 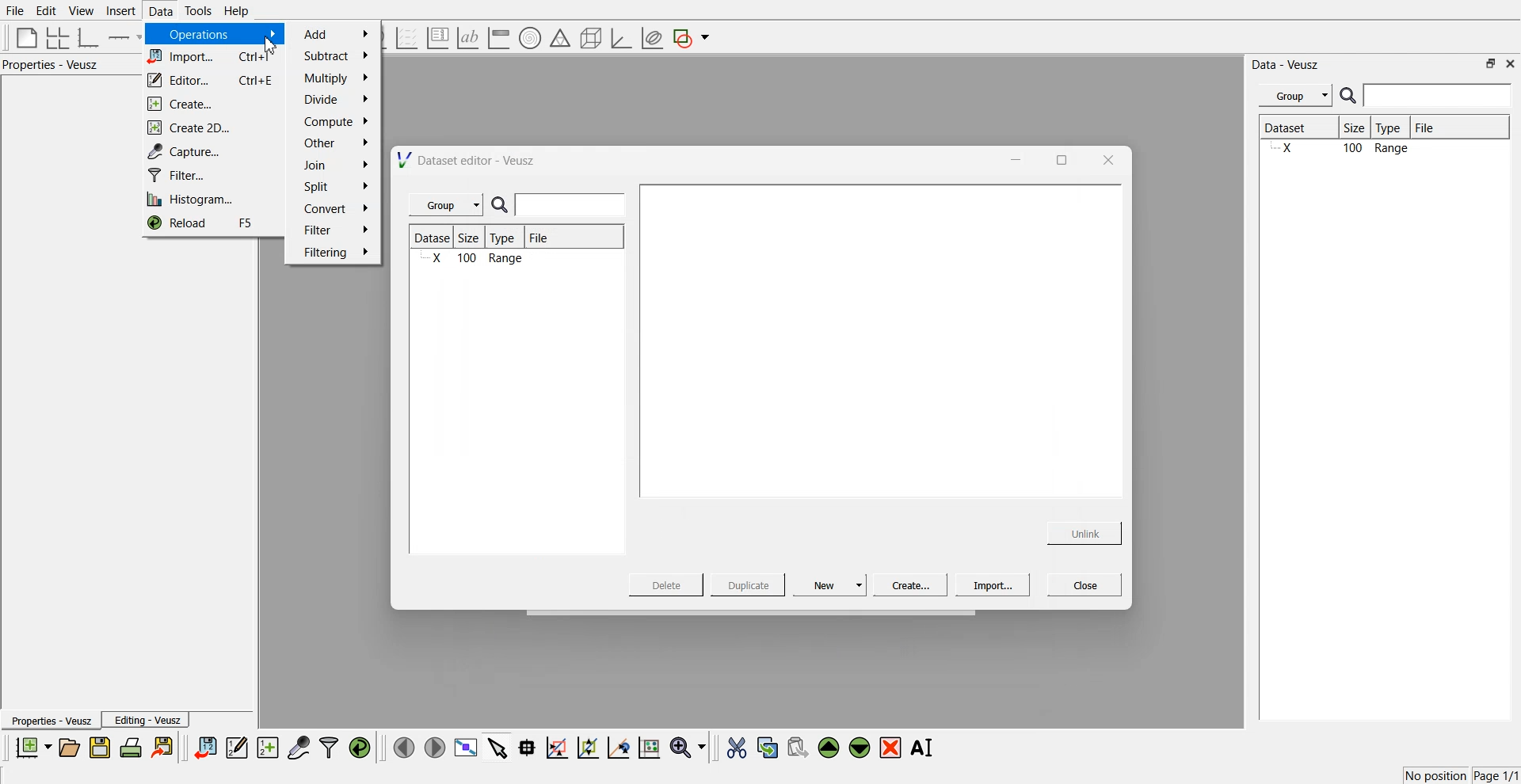 I want to click on Dataset, so click(x=1298, y=129).